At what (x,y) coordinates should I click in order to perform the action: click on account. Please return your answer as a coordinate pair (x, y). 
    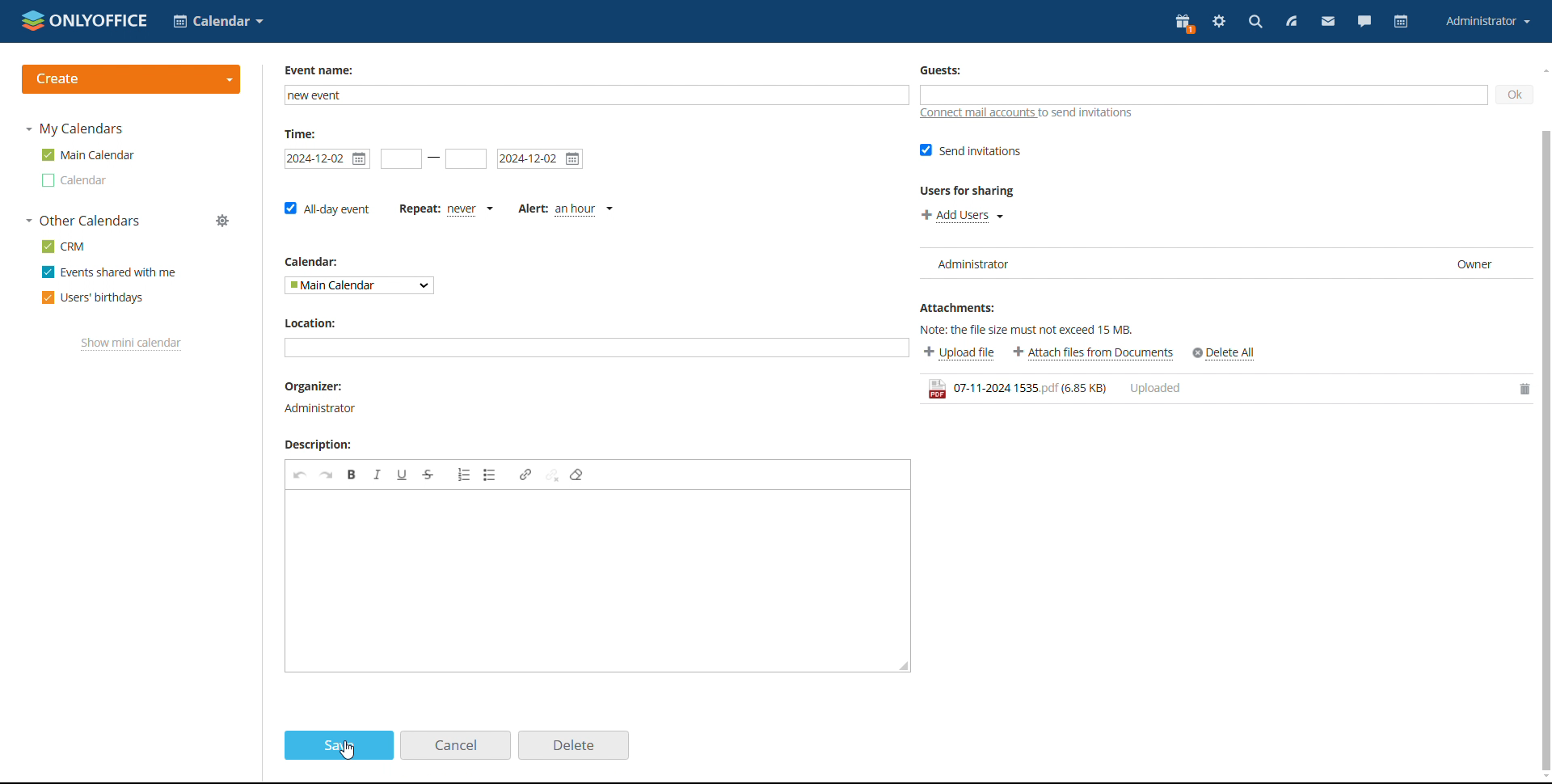
    Looking at the image, I should click on (1488, 23).